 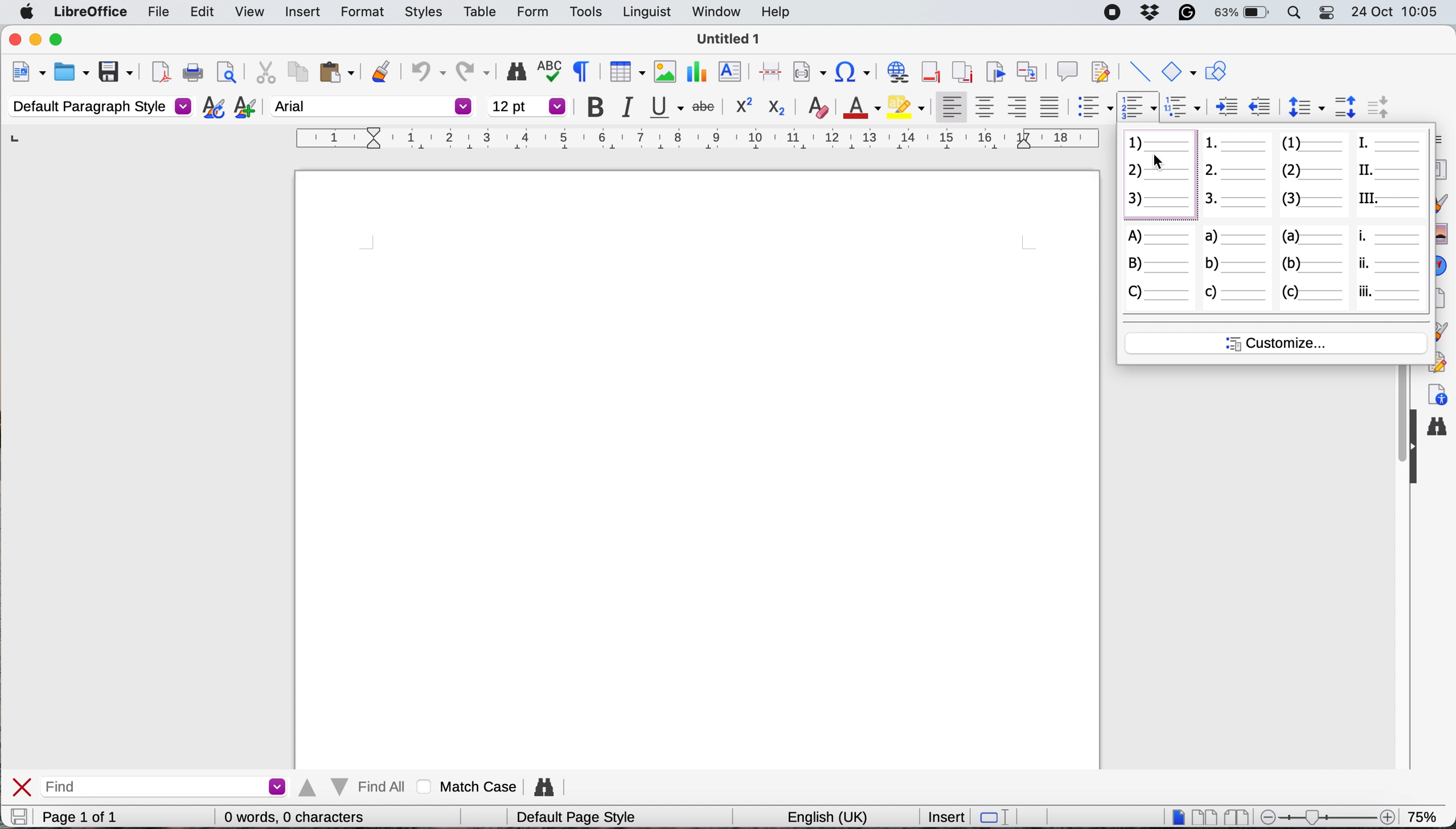 What do you see at coordinates (1293, 13) in the screenshot?
I see `spotlight search` at bounding box center [1293, 13].